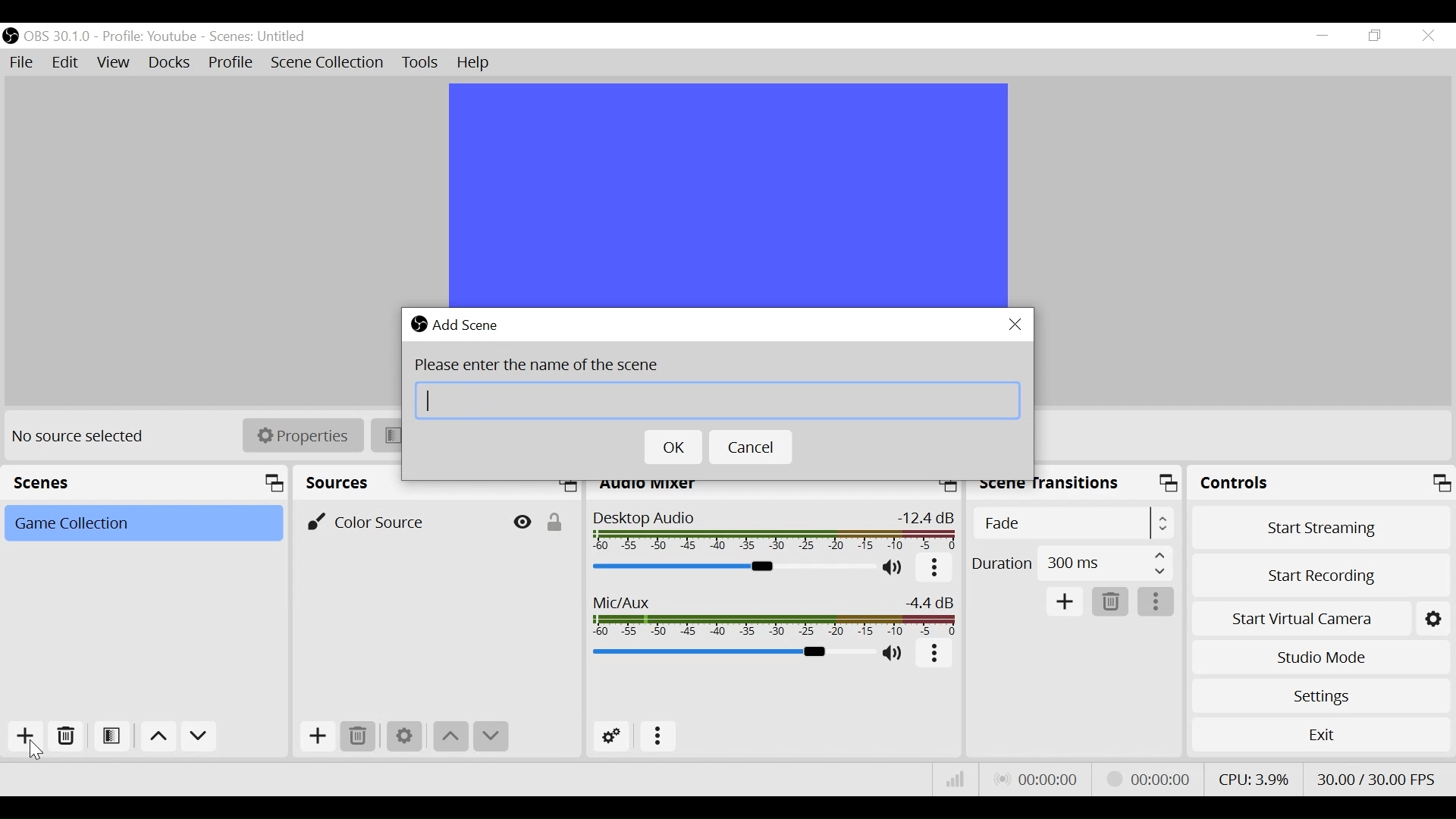 The width and height of the screenshot is (1456, 819). What do you see at coordinates (735, 567) in the screenshot?
I see `Desktop Audio Slider` at bounding box center [735, 567].